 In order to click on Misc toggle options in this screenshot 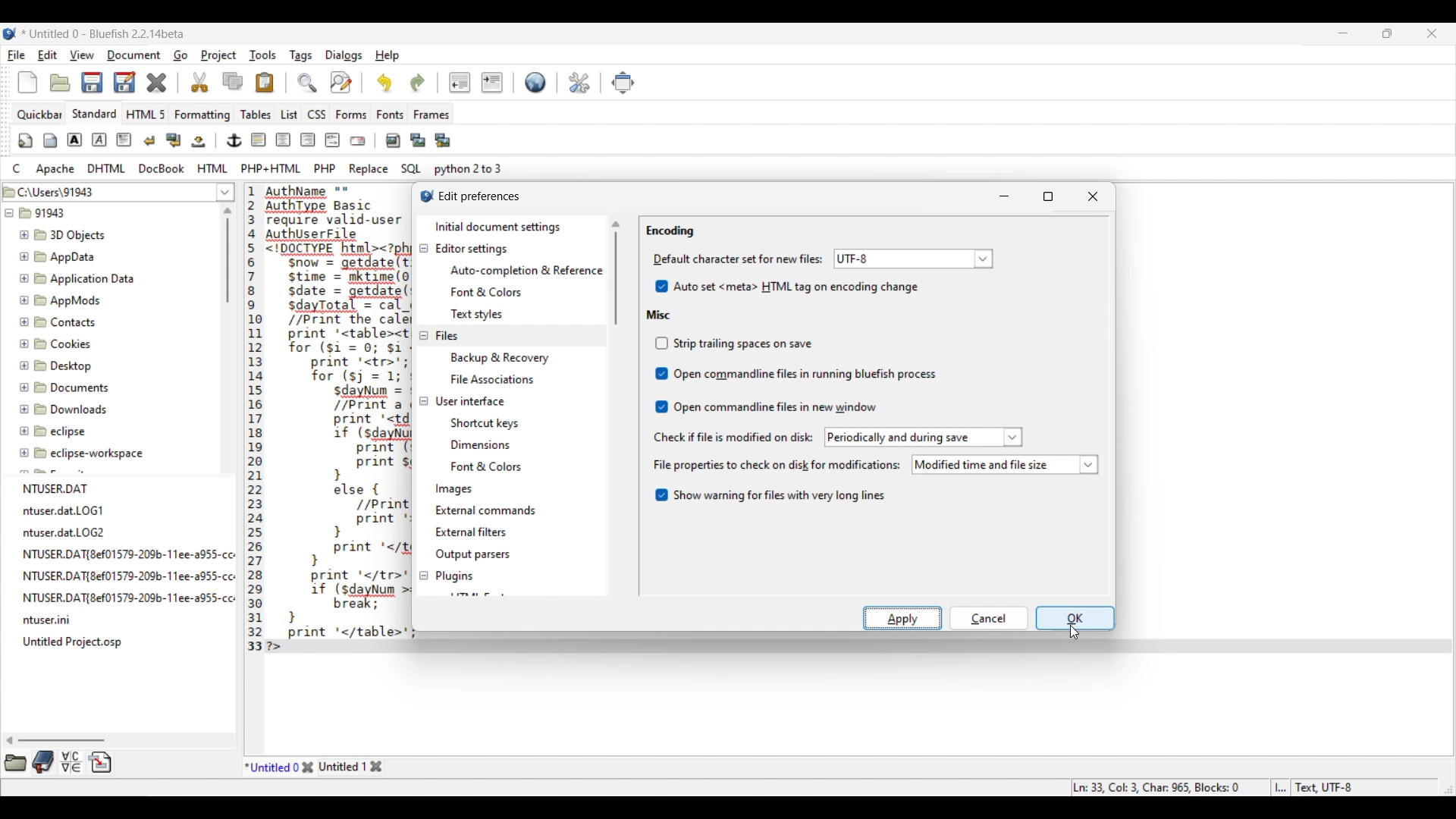, I will do `click(808, 376)`.